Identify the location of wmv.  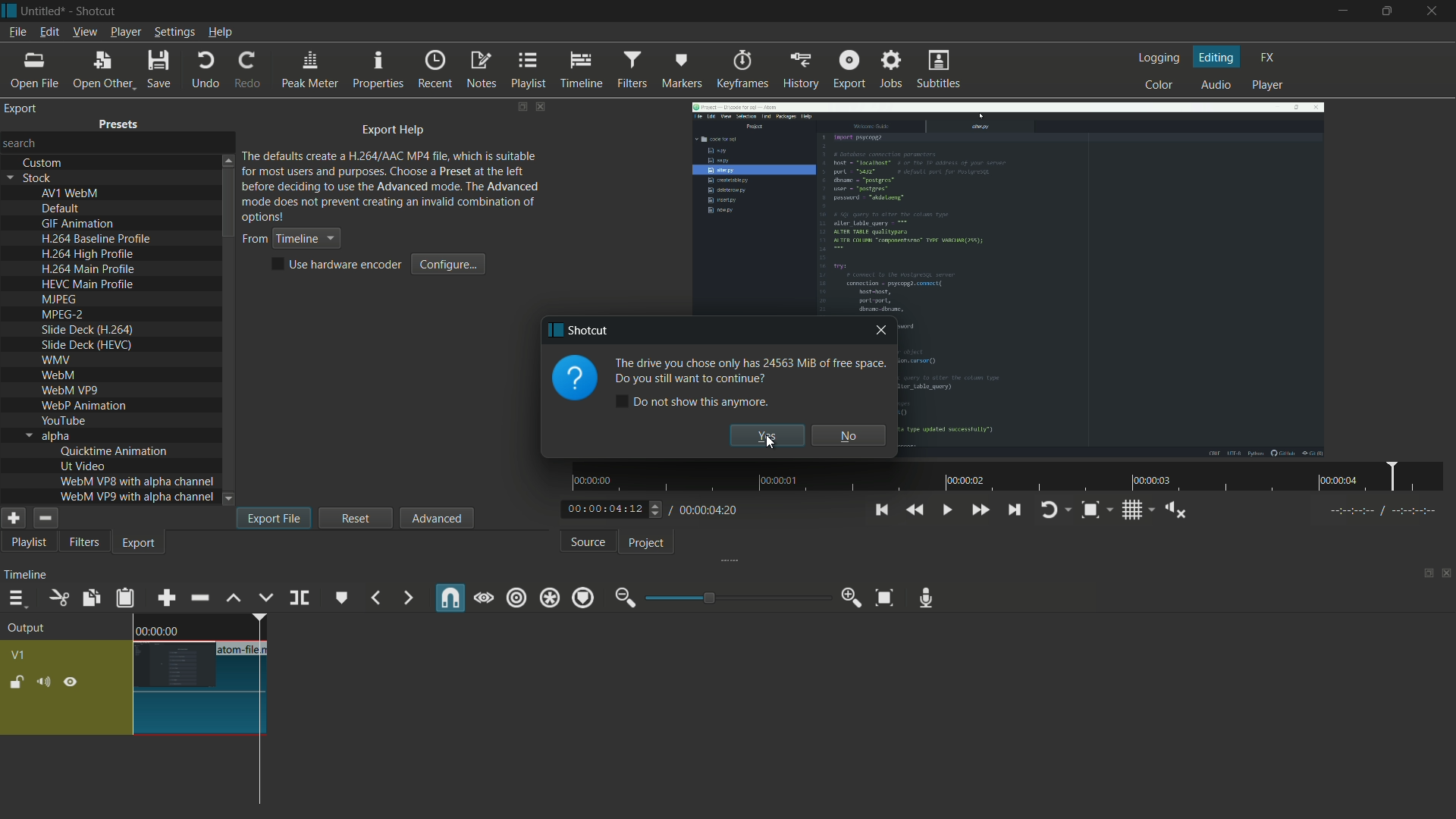
(55, 361).